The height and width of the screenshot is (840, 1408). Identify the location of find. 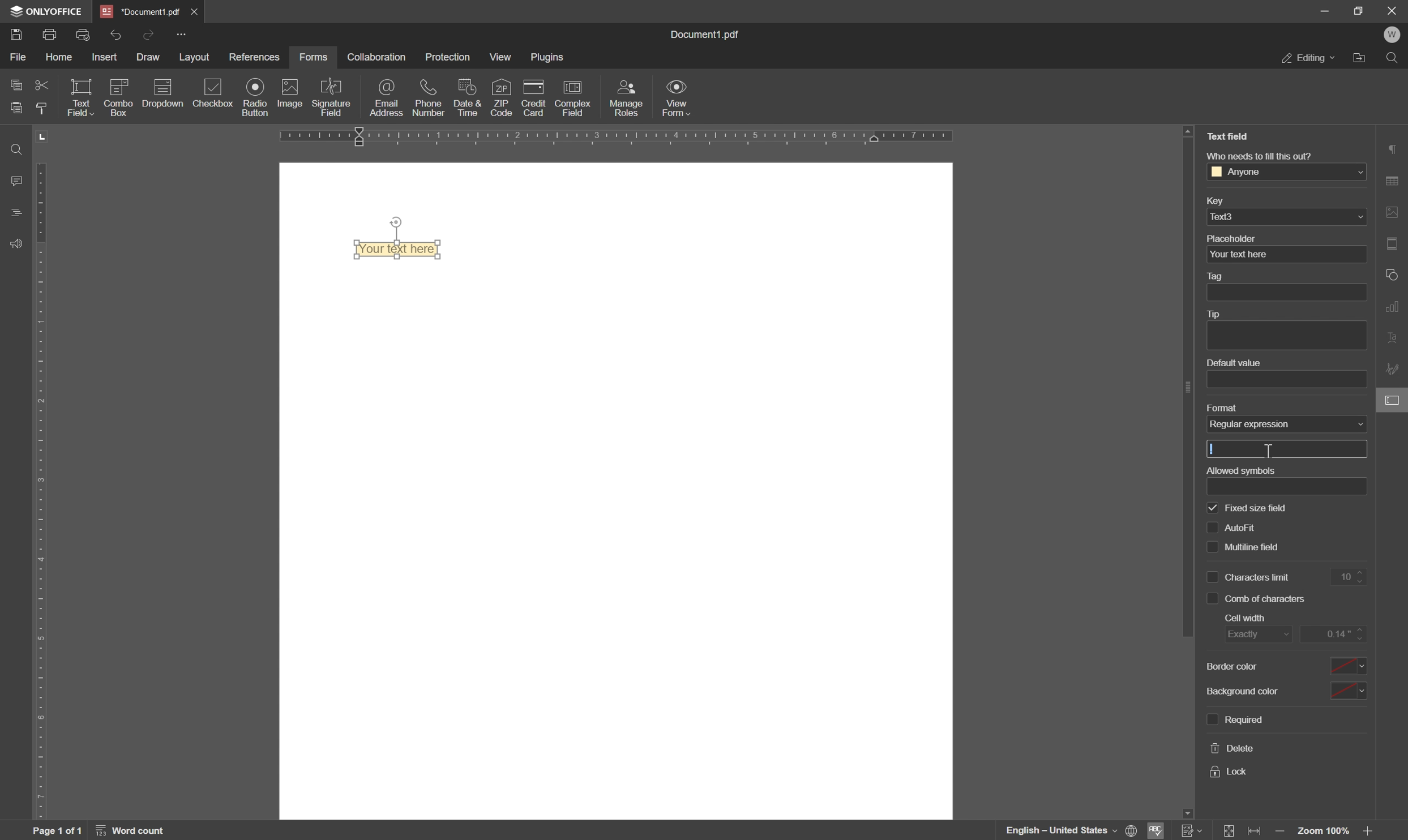
(1394, 57).